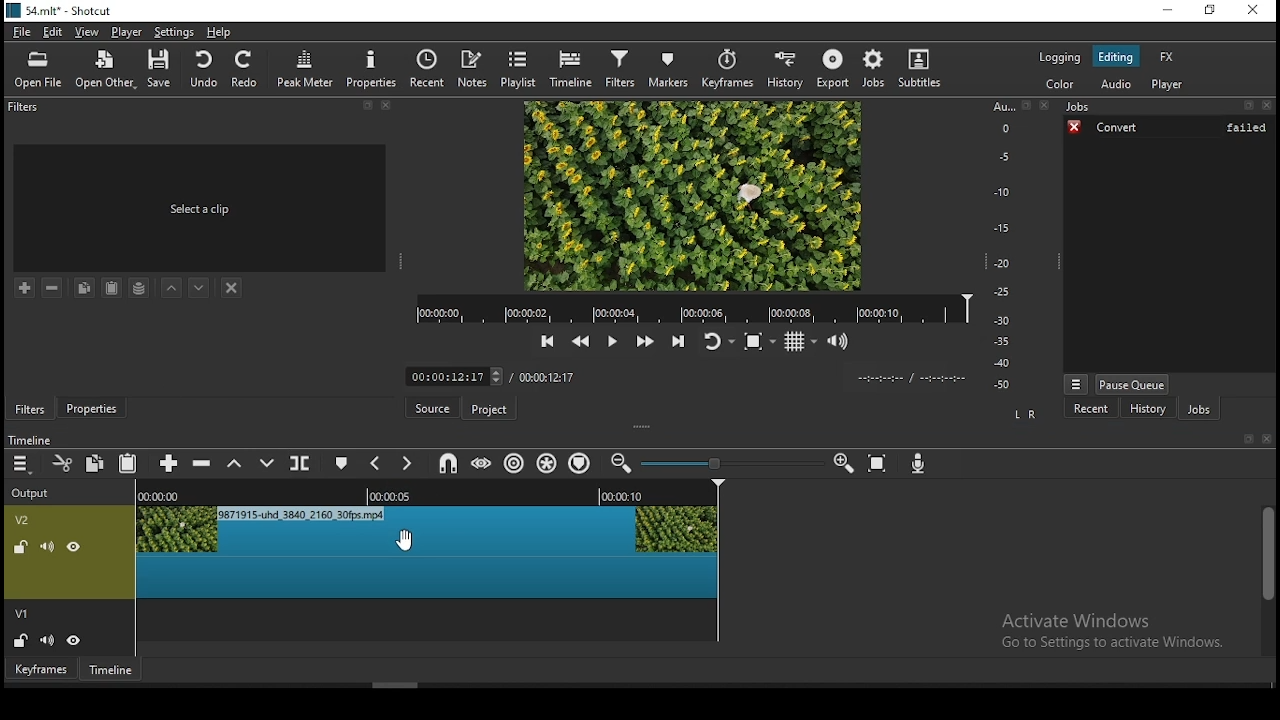 The image size is (1280, 720). What do you see at coordinates (234, 466) in the screenshot?
I see `lift` at bounding box center [234, 466].